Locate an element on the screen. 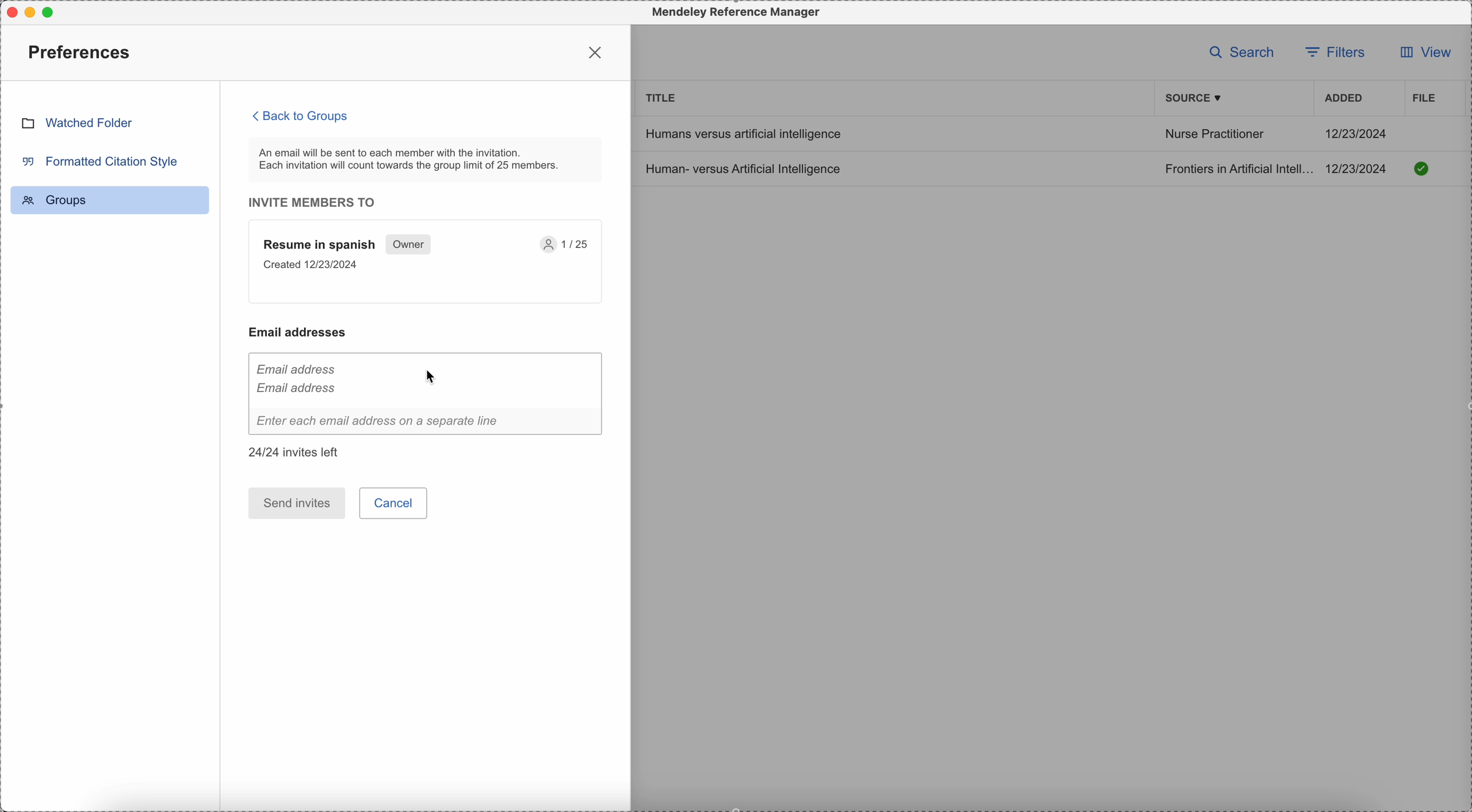 Image resolution: width=1472 pixels, height=812 pixels. Human- versus Artificial Intelligence is located at coordinates (746, 168).